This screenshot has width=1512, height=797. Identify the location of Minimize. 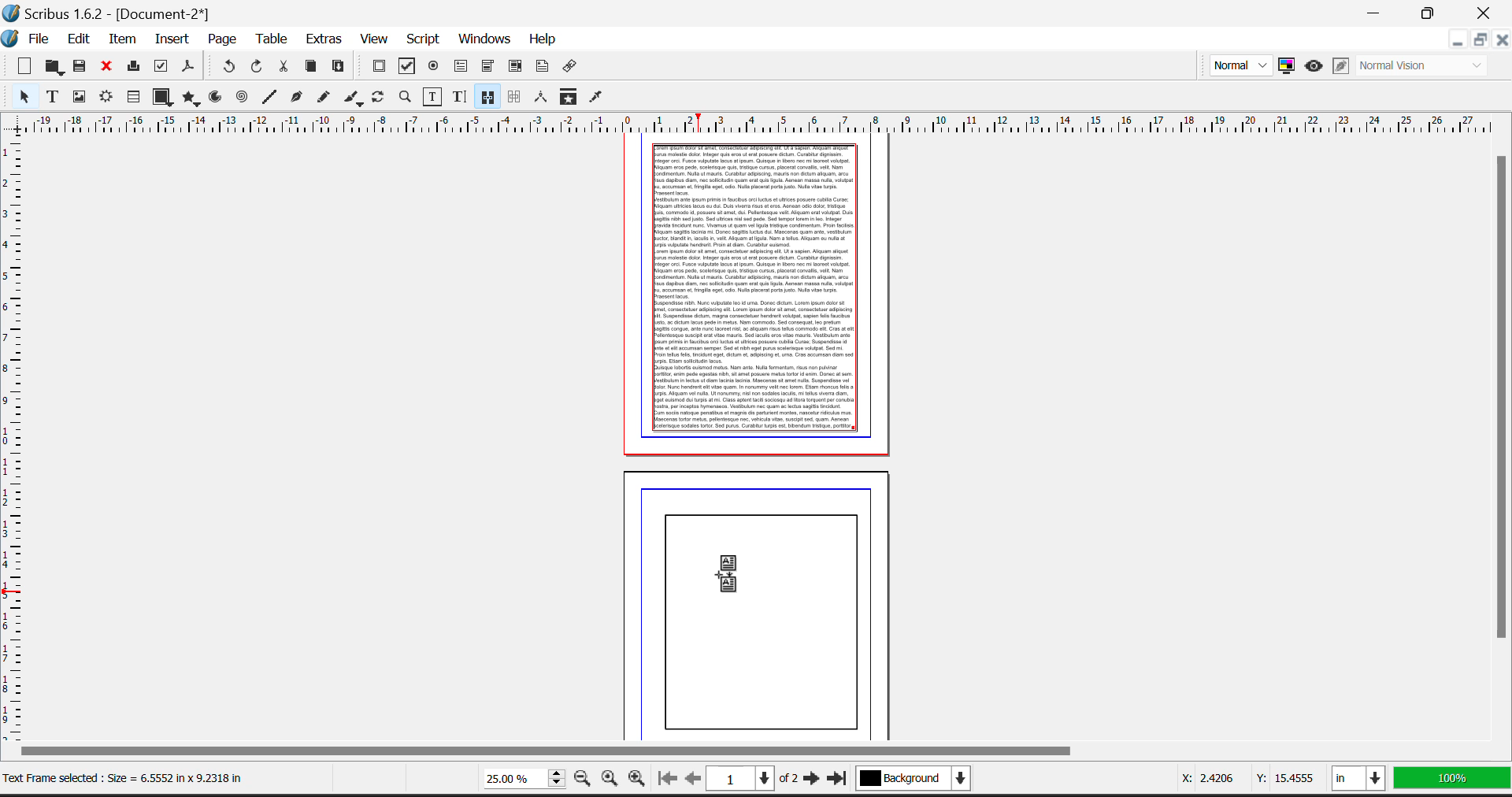
(1431, 11).